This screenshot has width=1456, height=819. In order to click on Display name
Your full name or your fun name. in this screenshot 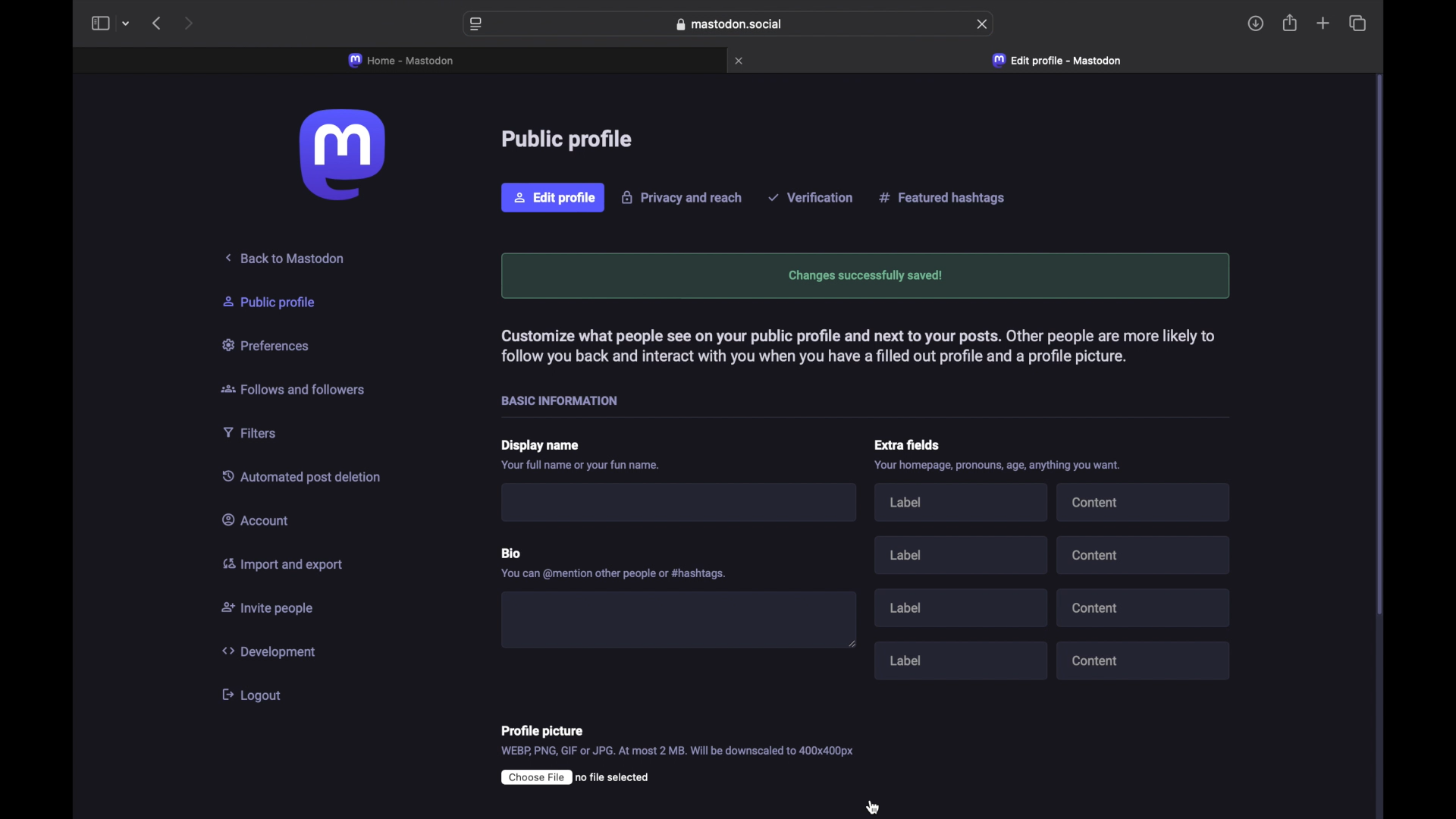, I will do `click(598, 455)`.